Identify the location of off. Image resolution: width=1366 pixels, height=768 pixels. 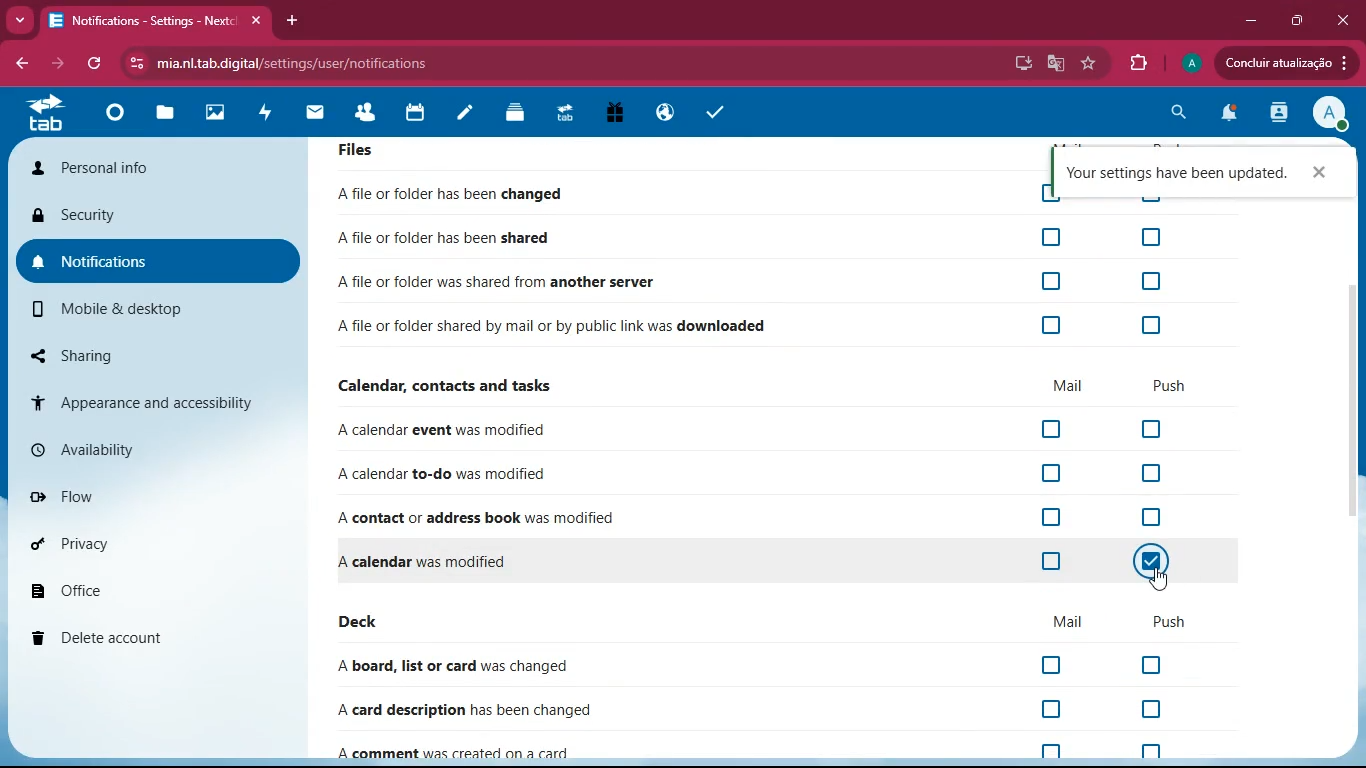
(1054, 430).